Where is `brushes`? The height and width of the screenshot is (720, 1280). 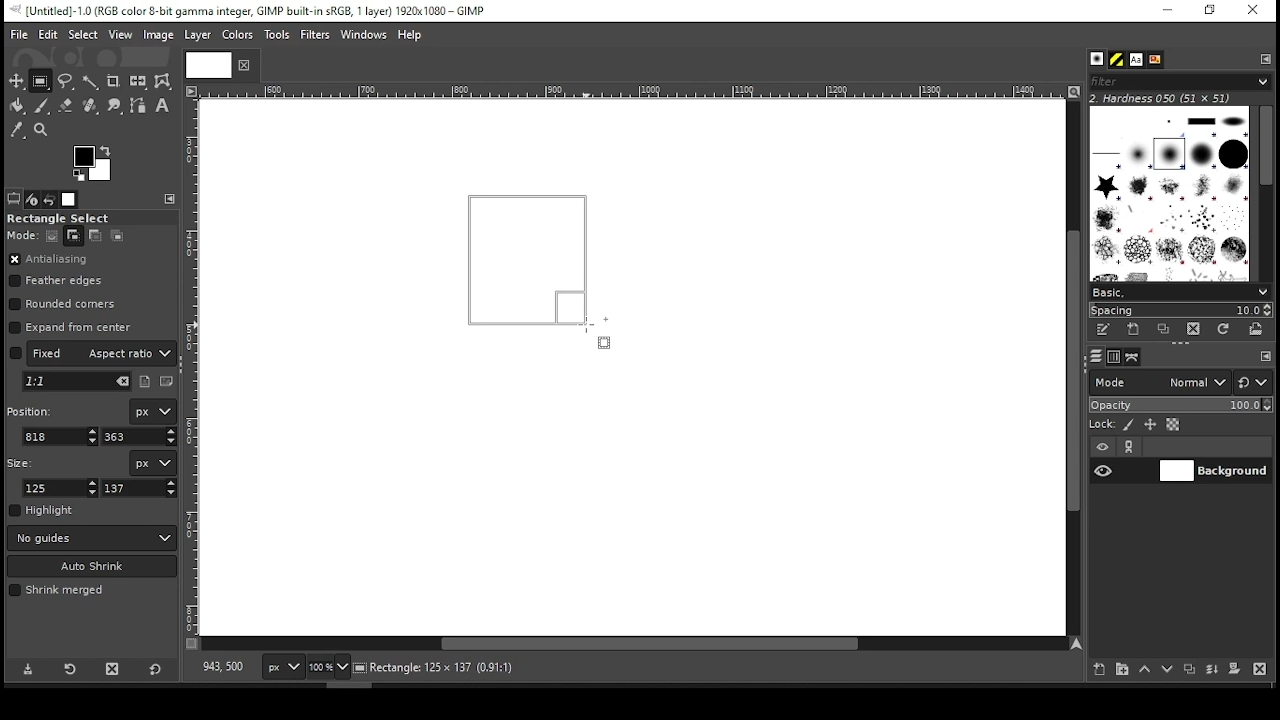
brushes is located at coordinates (1097, 60).